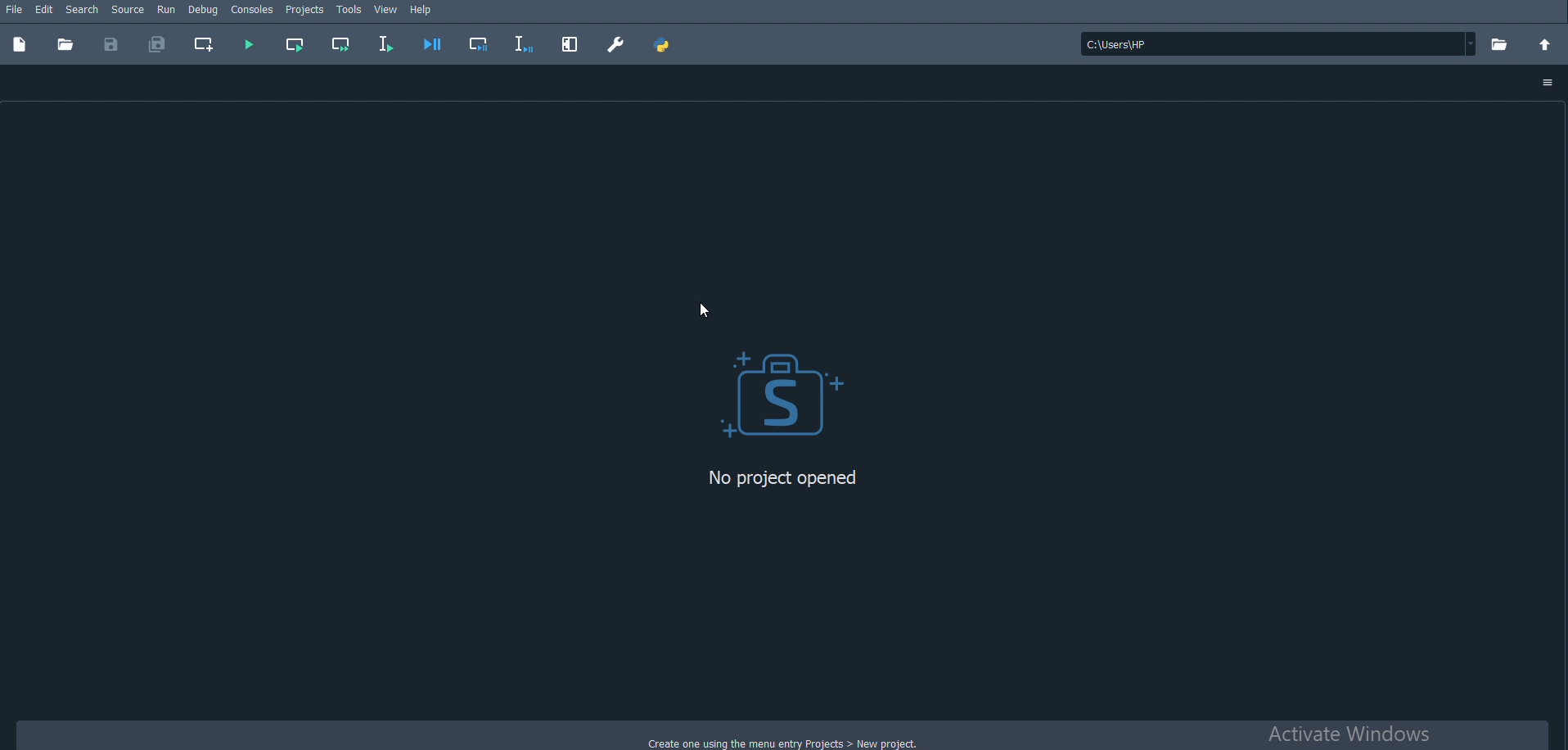  What do you see at coordinates (294, 46) in the screenshot?
I see `Run current cell` at bounding box center [294, 46].